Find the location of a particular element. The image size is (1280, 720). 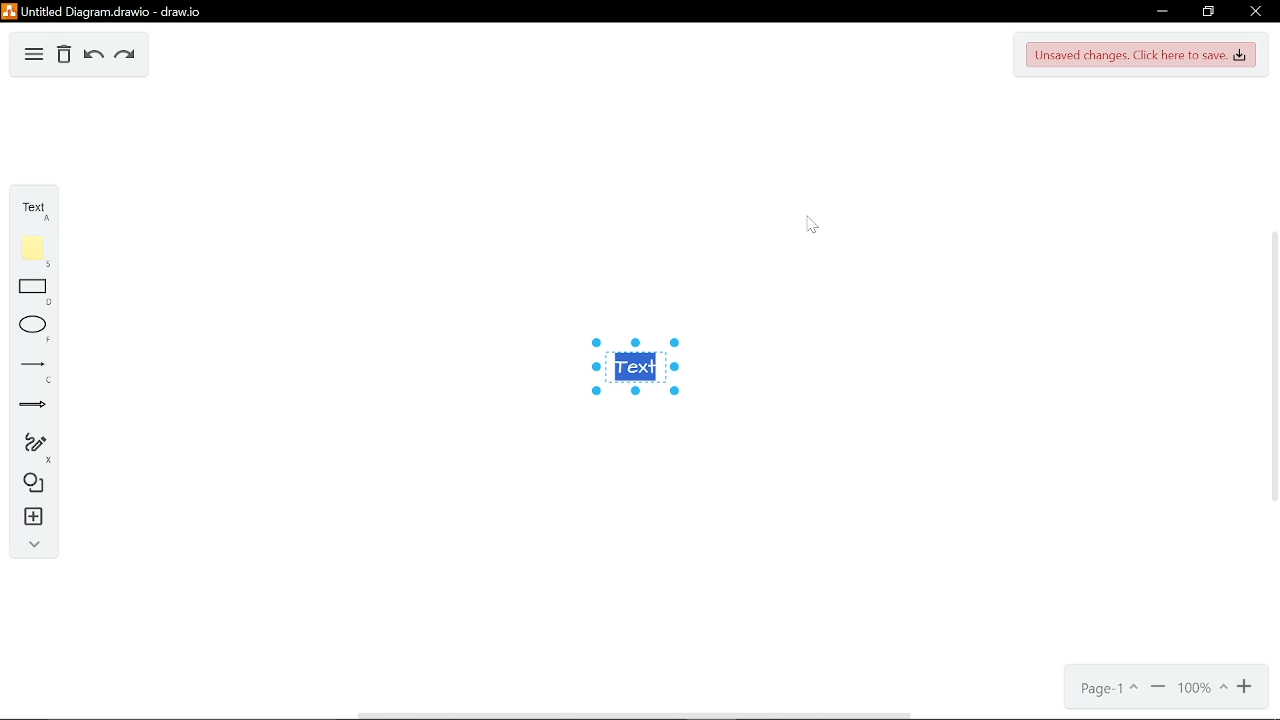

Current window is located at coordinates (103, 11).